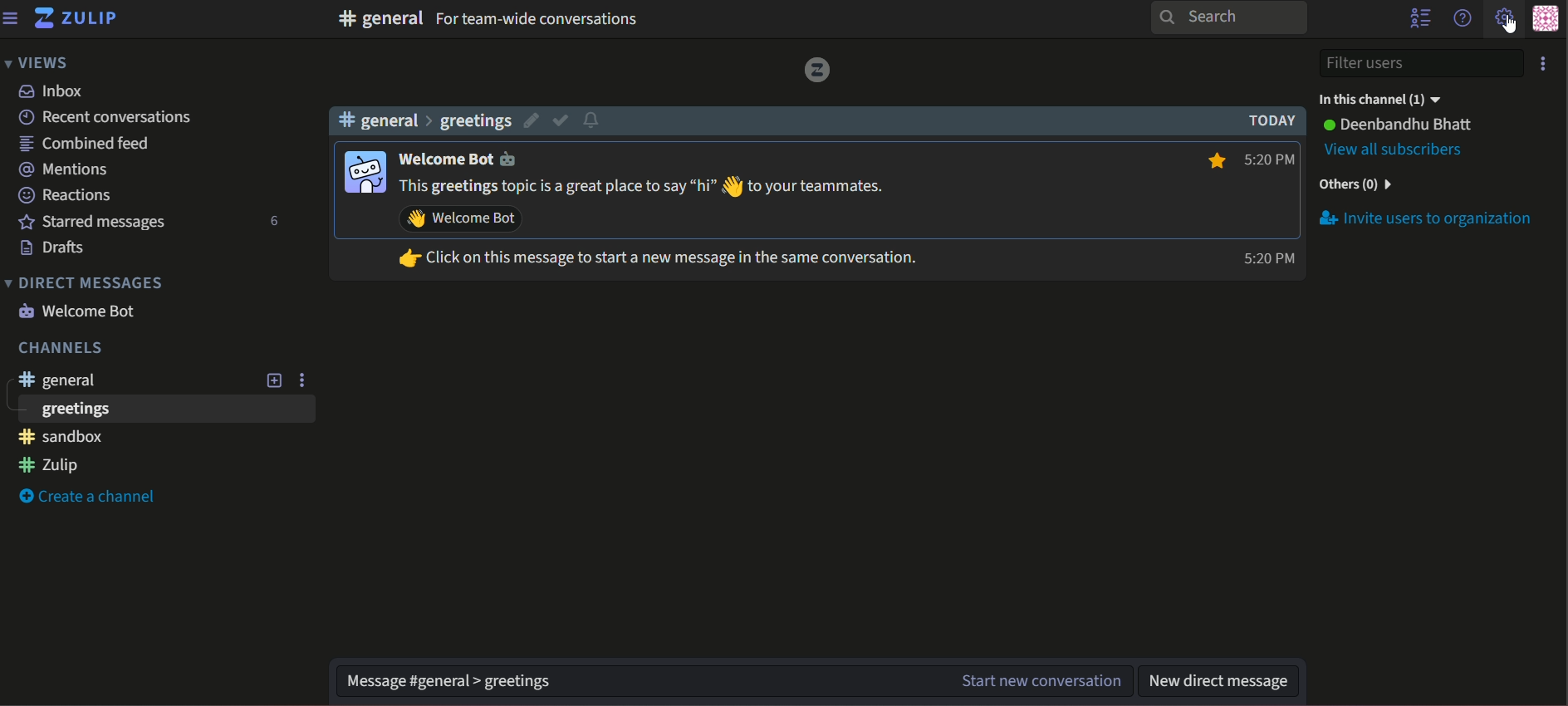 This screenshot has height=706, width=1568. What do you see at coordinates (1501, 20) in the screenshot?
I see `settings` at bounding box center [1501, 20].